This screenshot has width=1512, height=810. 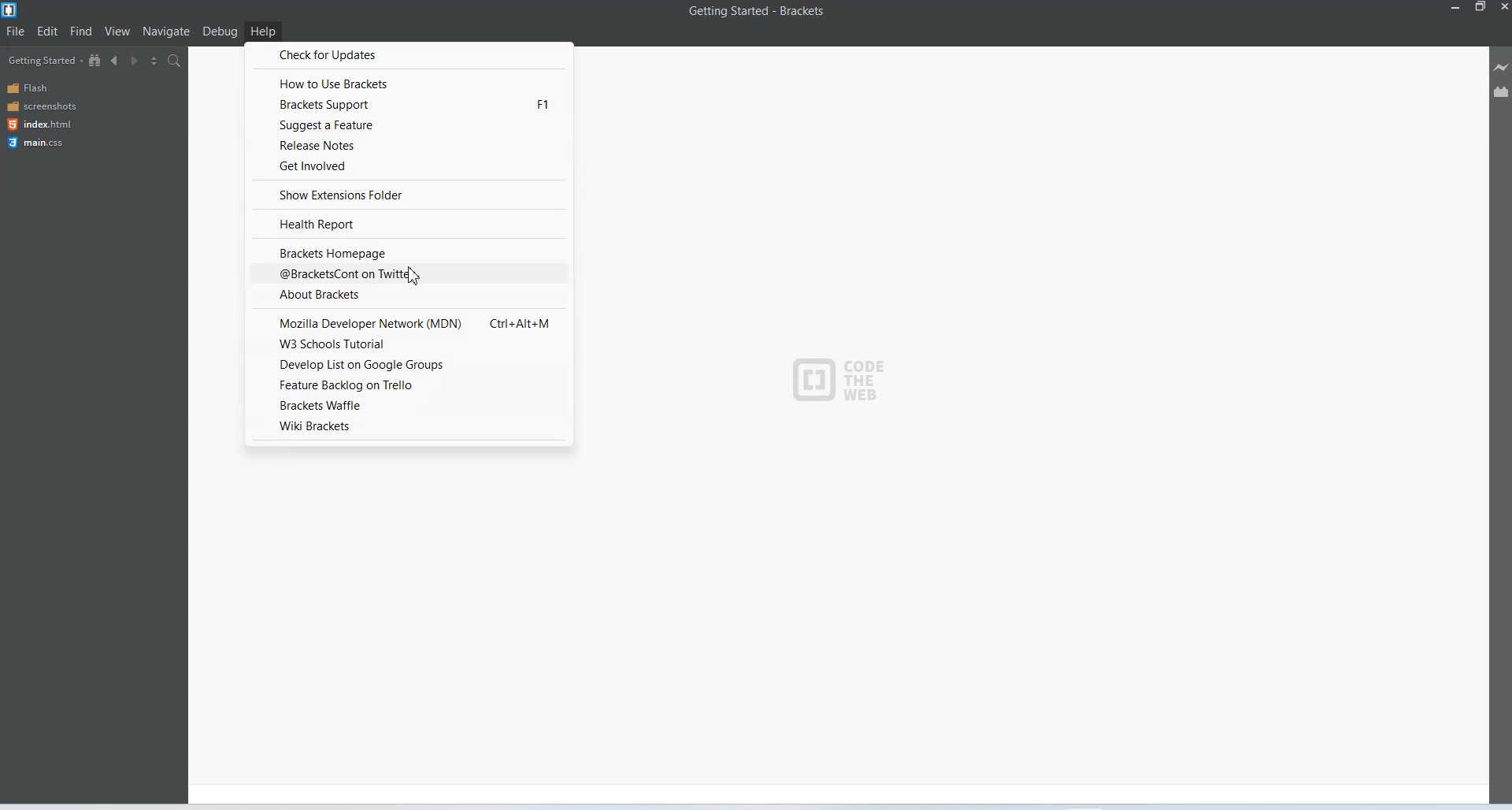 What do you see at coordinates (167, 32) in the screenshot?
I see `Navigate` at bounding box center [167, 32].